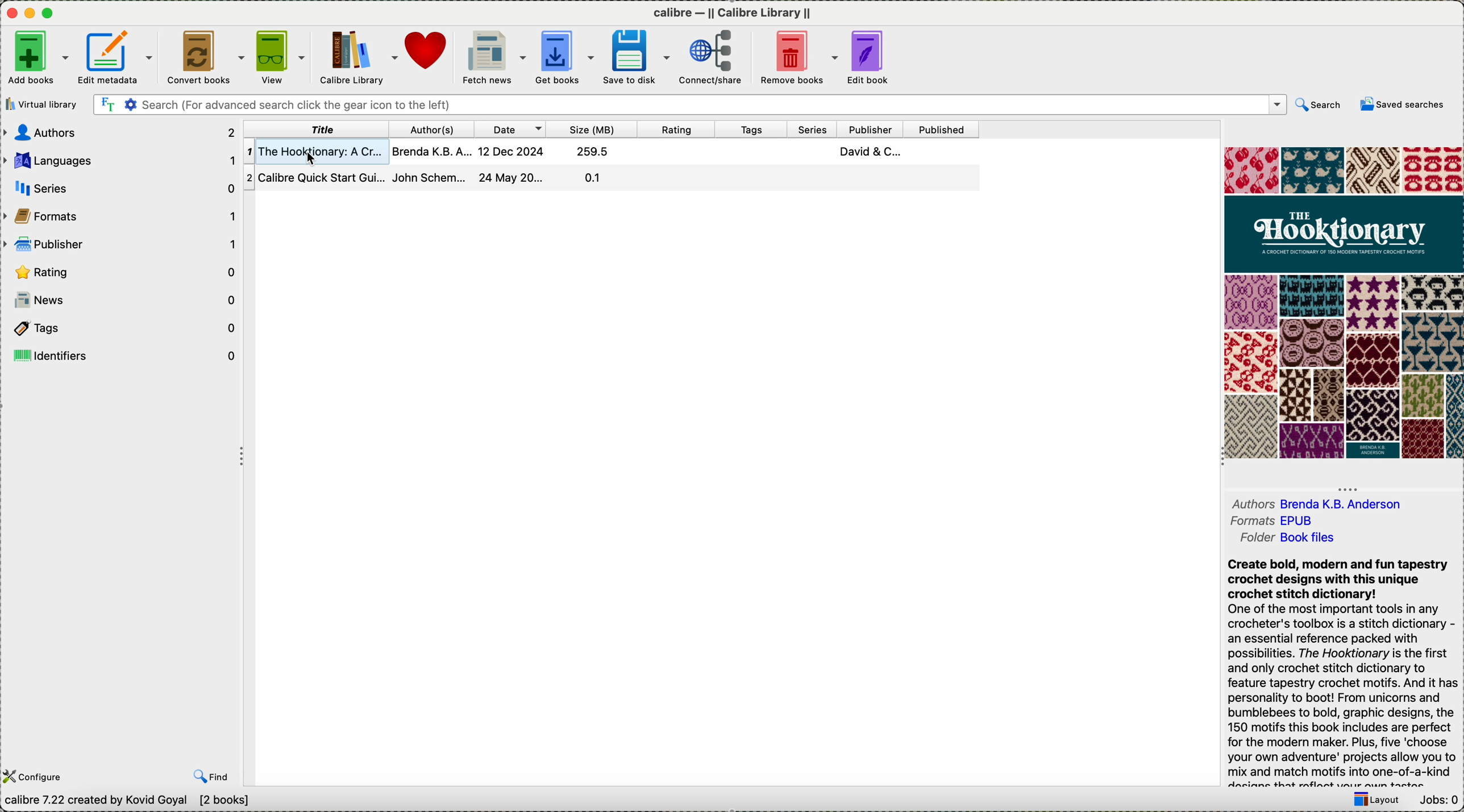 The image size is (1464, 812). Describe the element at coordinates (120, 161) in the screenshot. I see `languages` at that location.